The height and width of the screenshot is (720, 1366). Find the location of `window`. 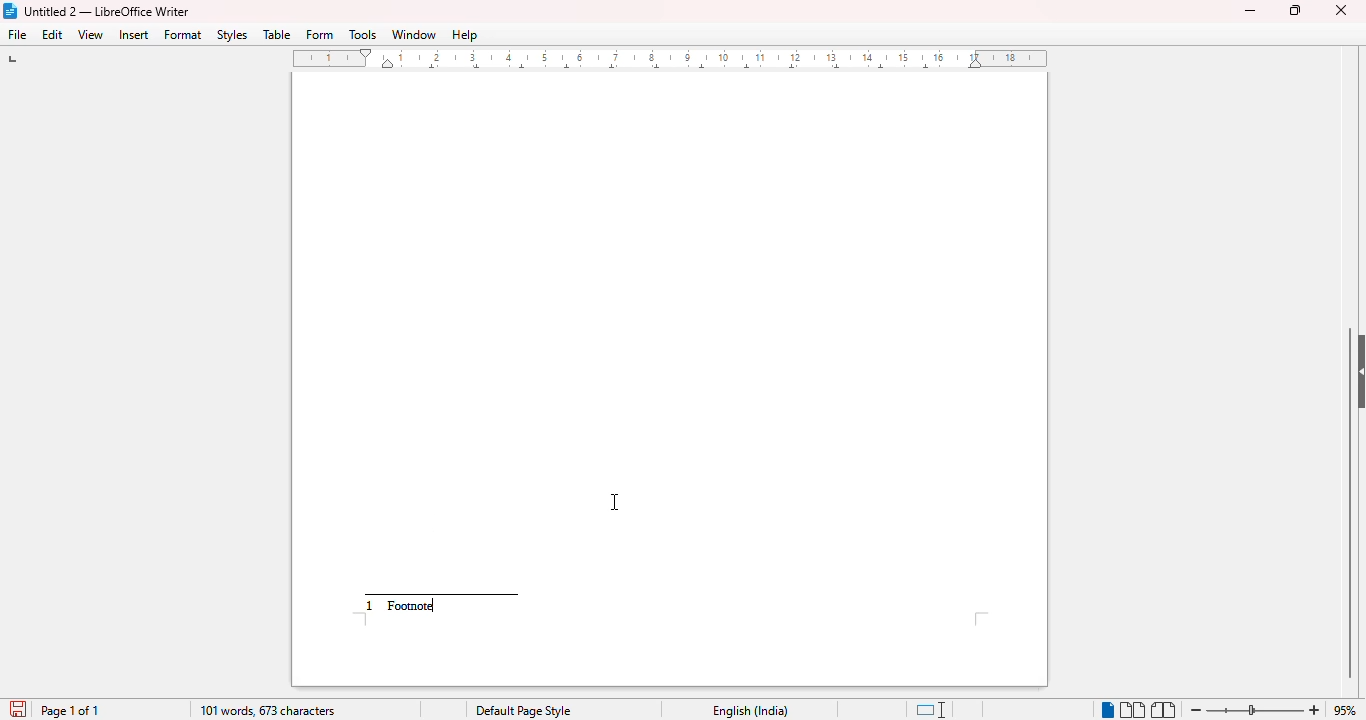

window is located at coordinates (414, 34).